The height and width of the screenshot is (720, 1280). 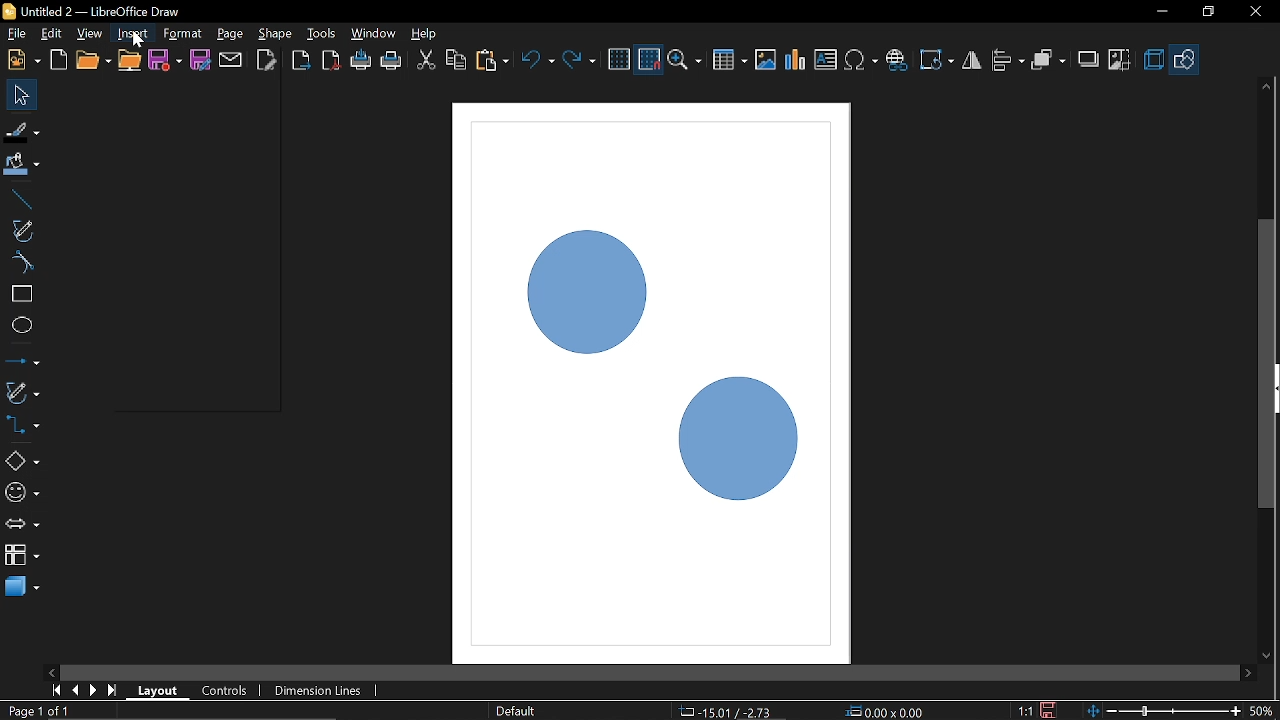 What do you see at coordinates (765, 59) in the screenshot?
I see `Image` at bounding box center [765, 59].